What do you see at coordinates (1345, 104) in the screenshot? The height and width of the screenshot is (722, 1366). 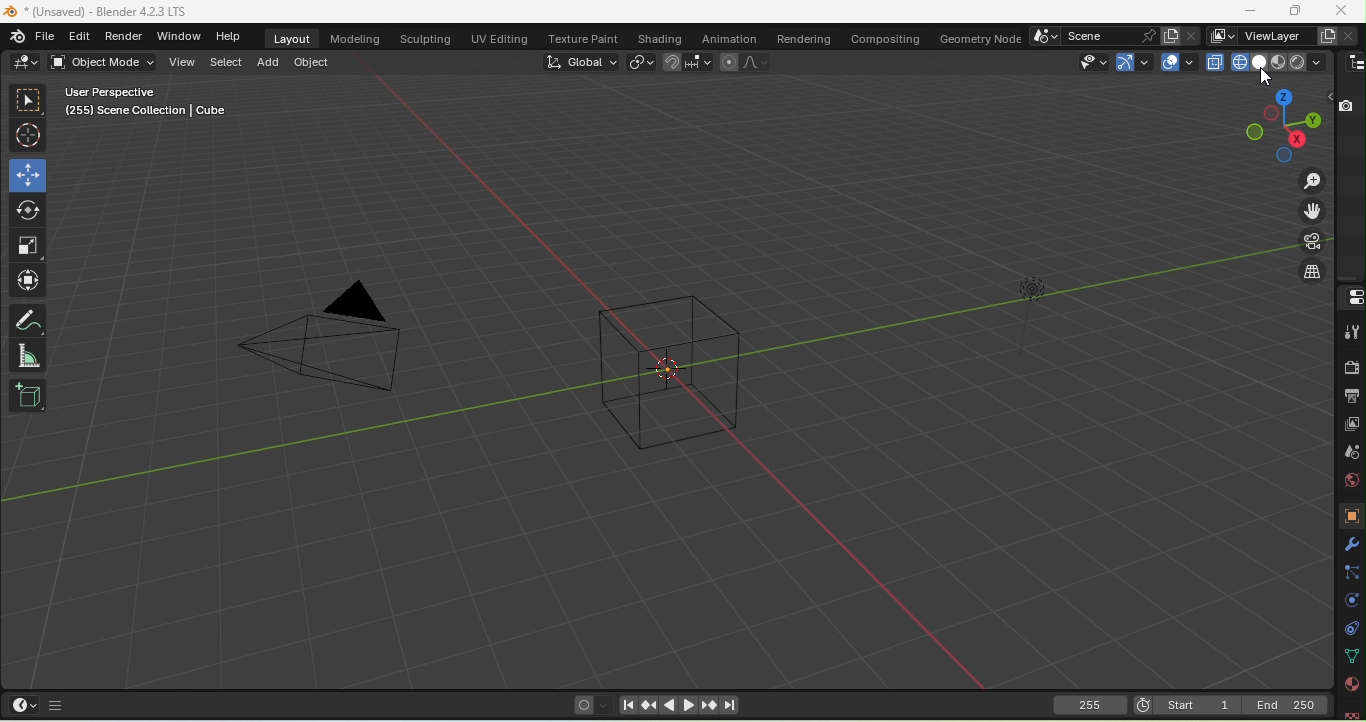 I see `Disable in renders` at bounding box center [1345, 104].